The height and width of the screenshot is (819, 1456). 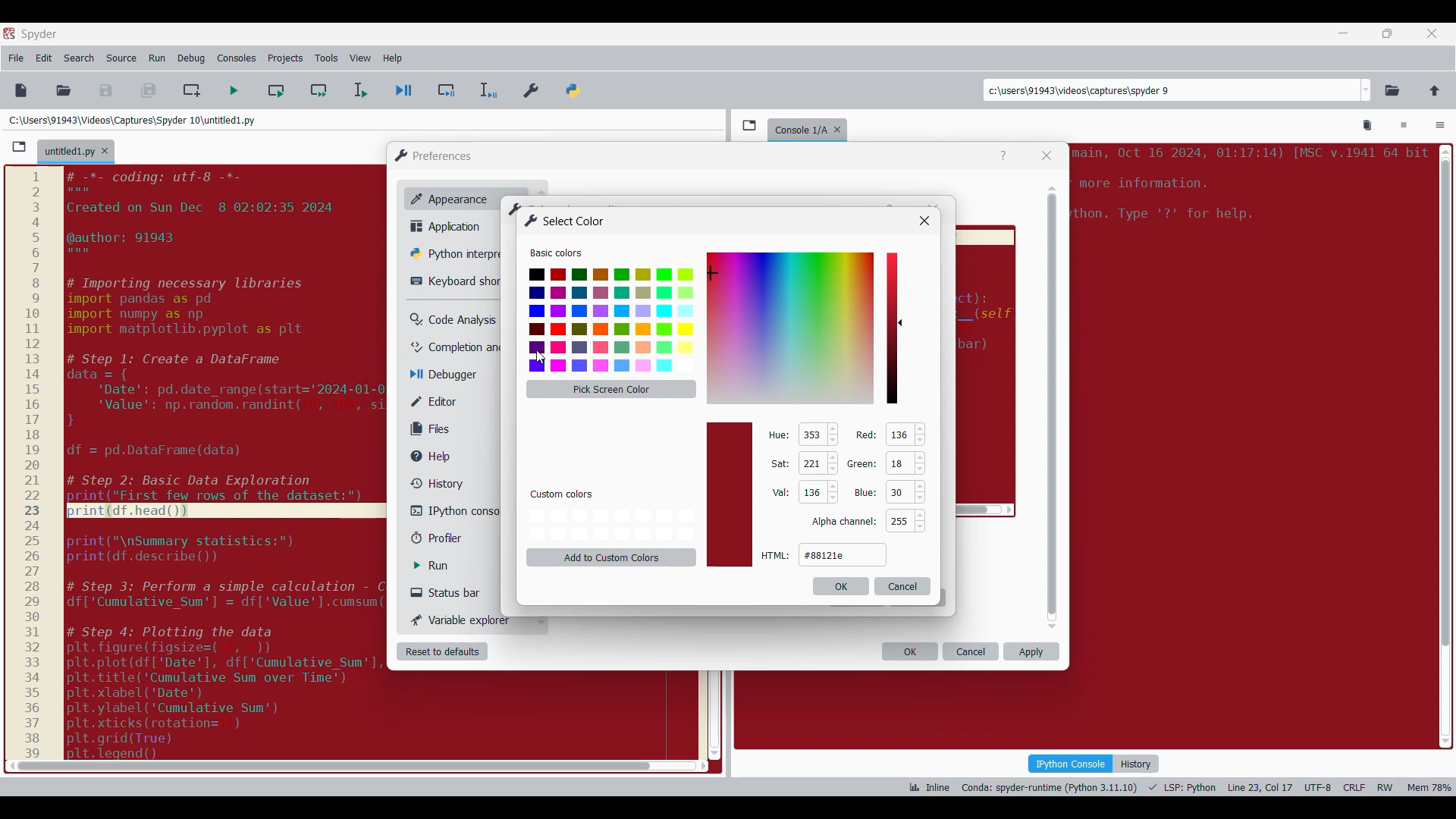 What do you see at coordinates (1440, 127) in the screenshot?
I see `Options` at bounding box center [1440, 127].